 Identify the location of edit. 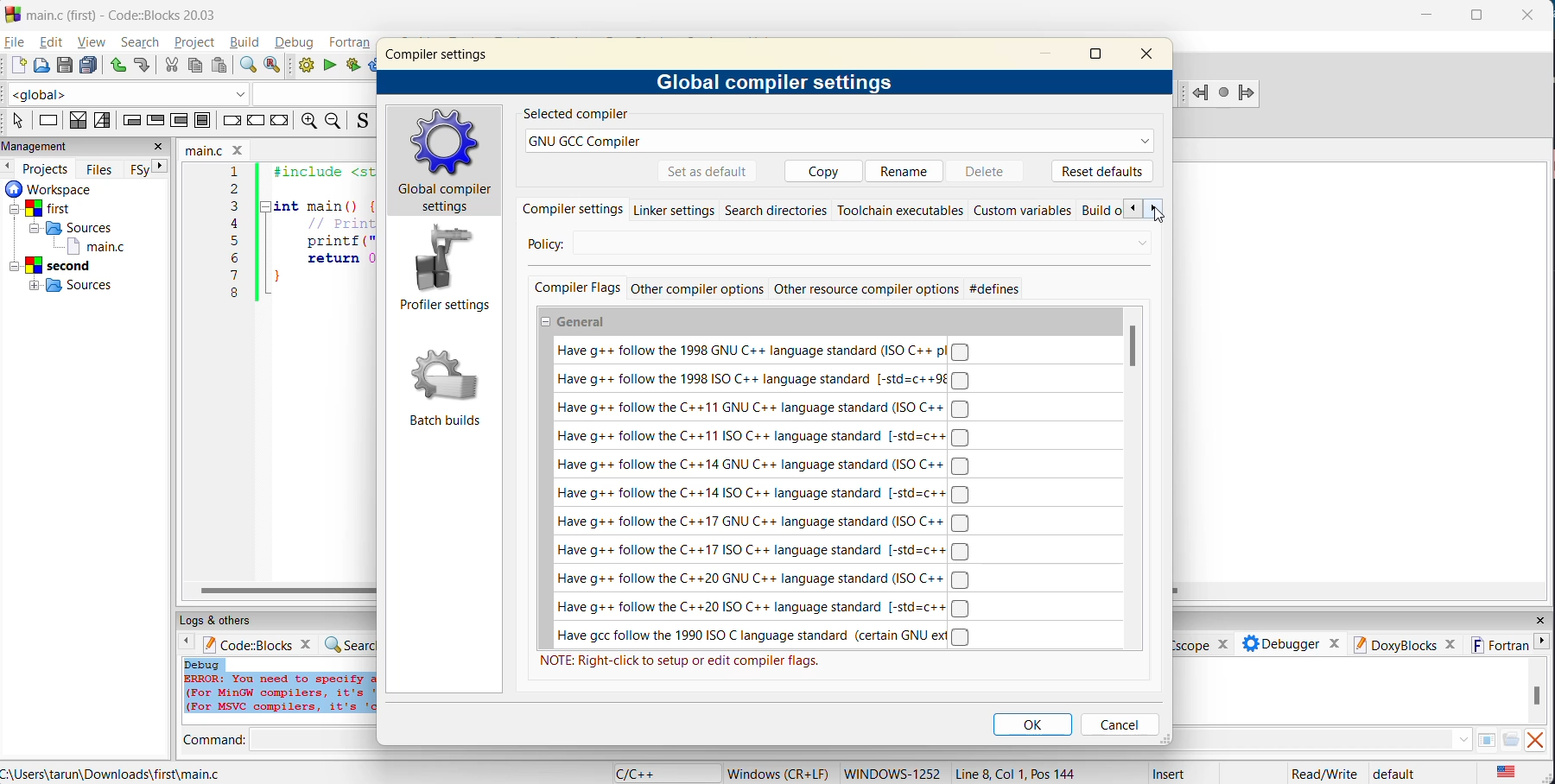
(52, 42).